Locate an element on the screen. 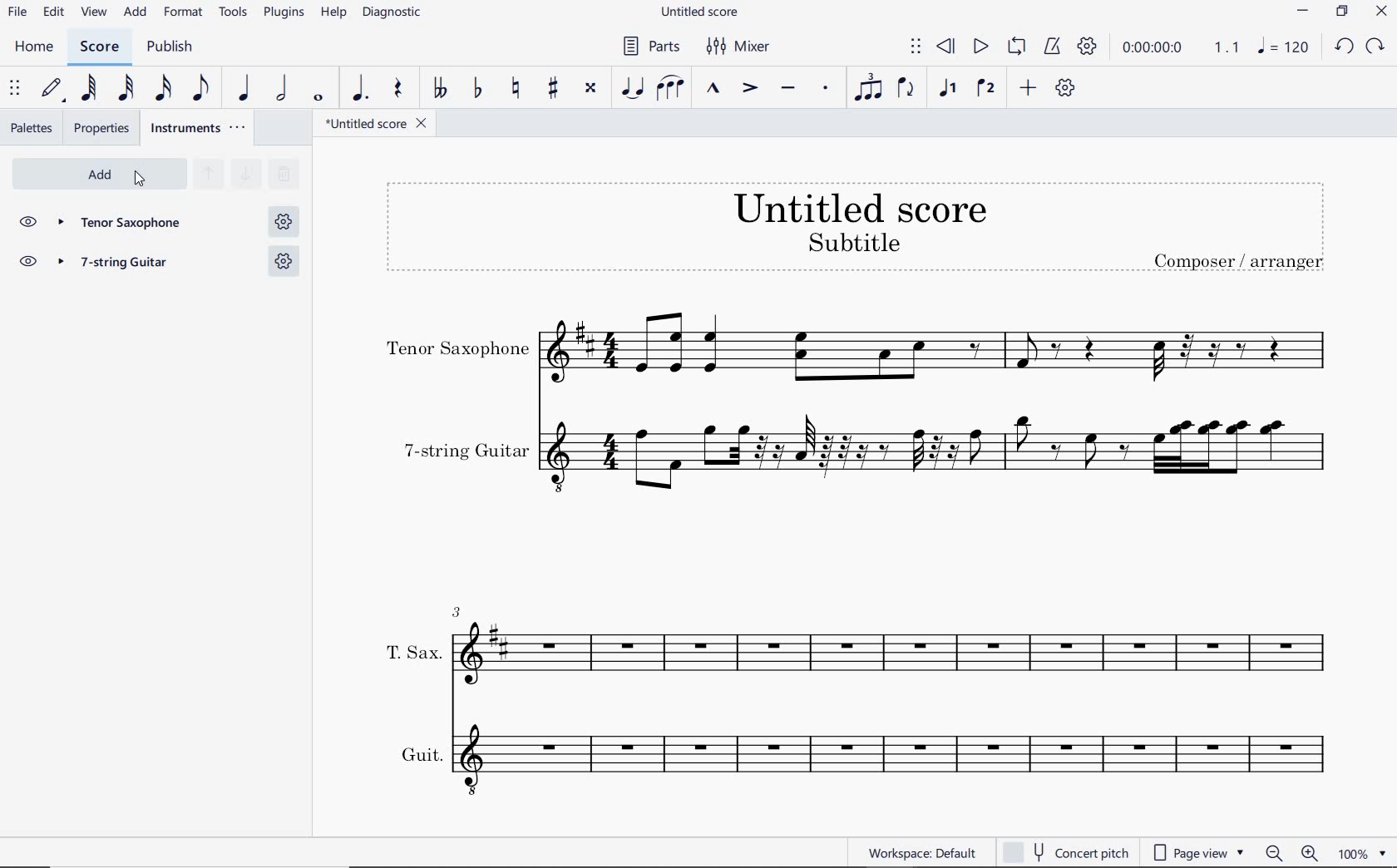  TITLE is located at coordinates (857, 225).